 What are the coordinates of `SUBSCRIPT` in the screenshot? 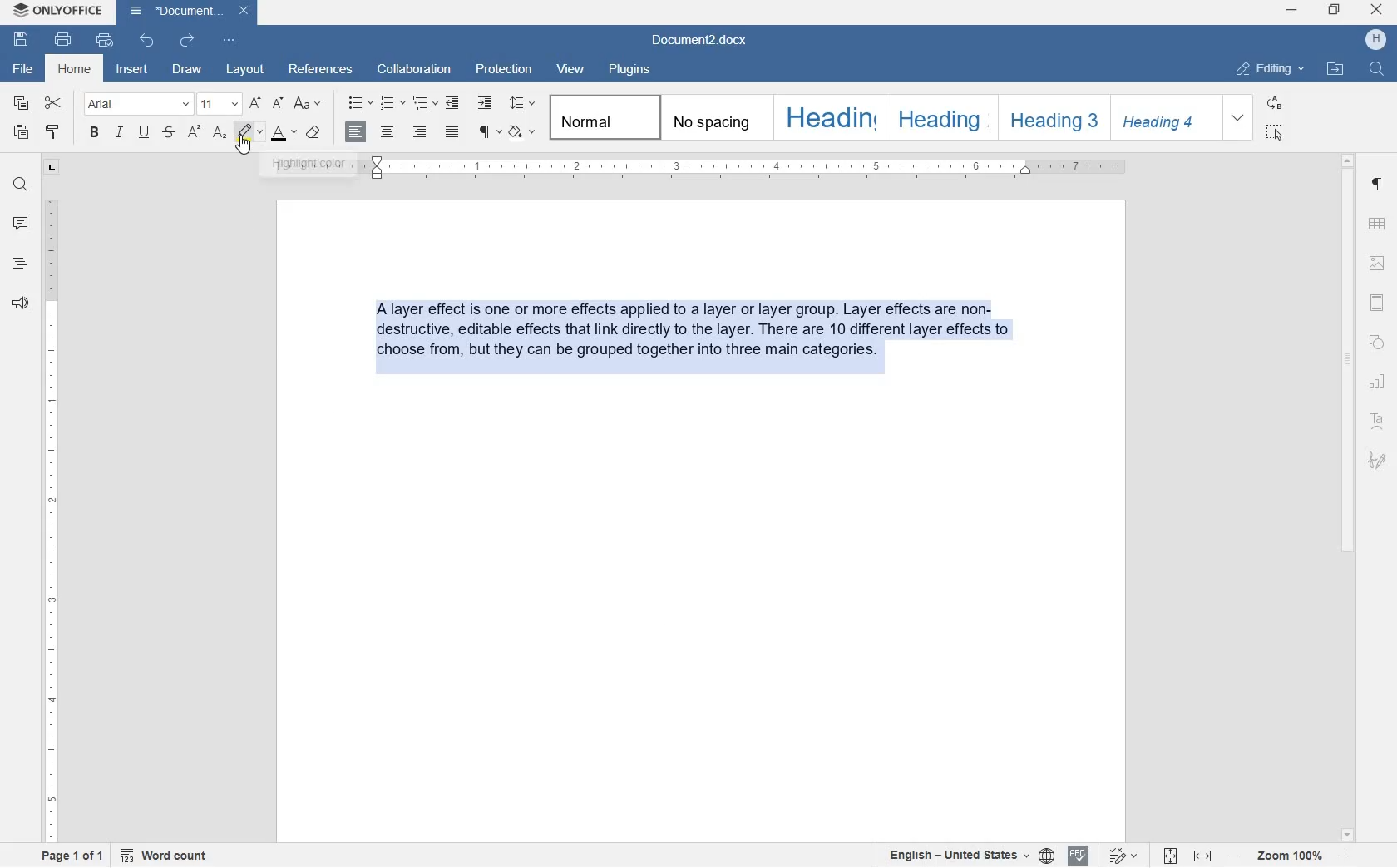 It's located at (220, 133).